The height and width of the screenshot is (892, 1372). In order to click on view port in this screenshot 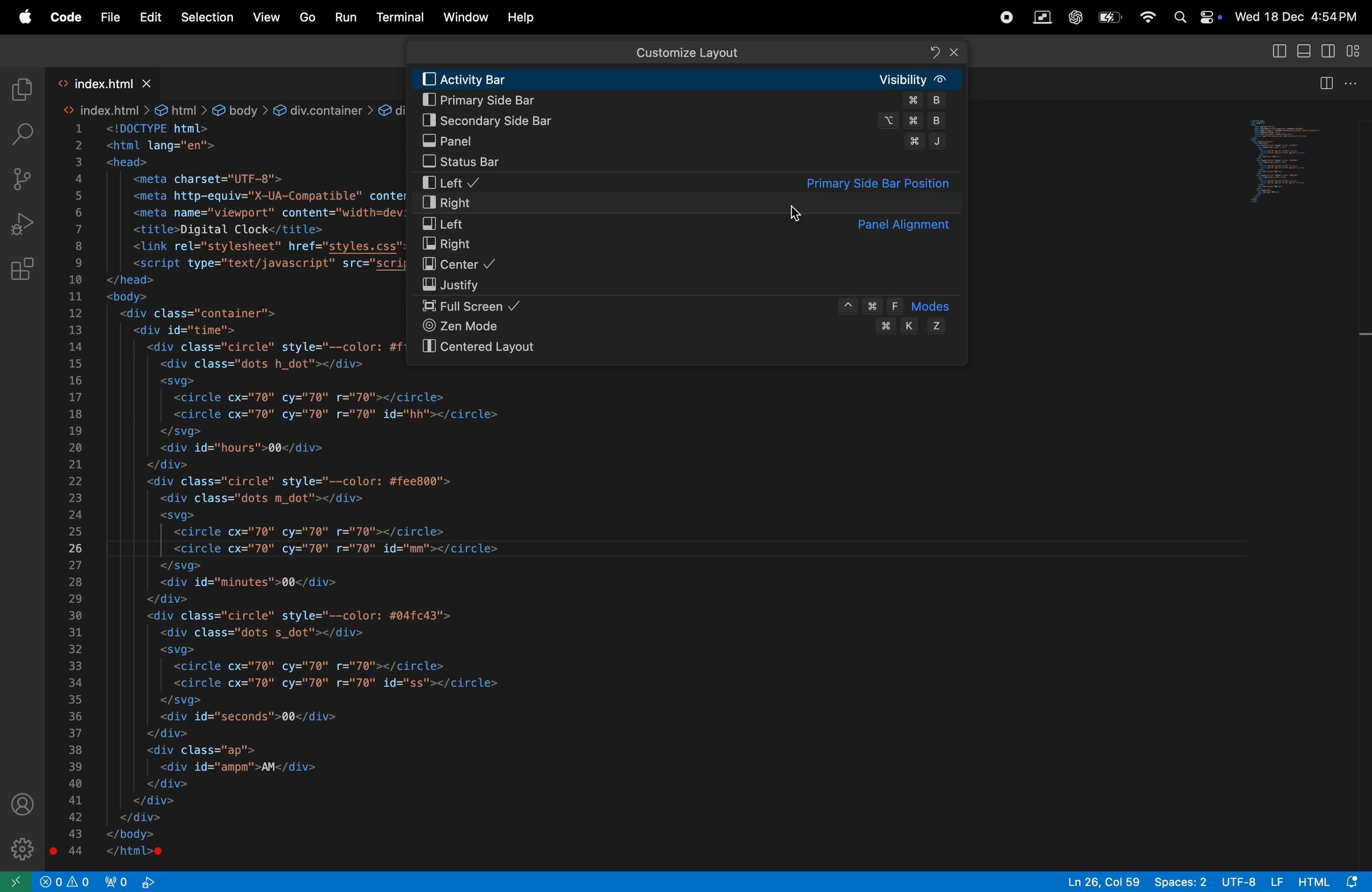, I will do `click(131, 880)`.